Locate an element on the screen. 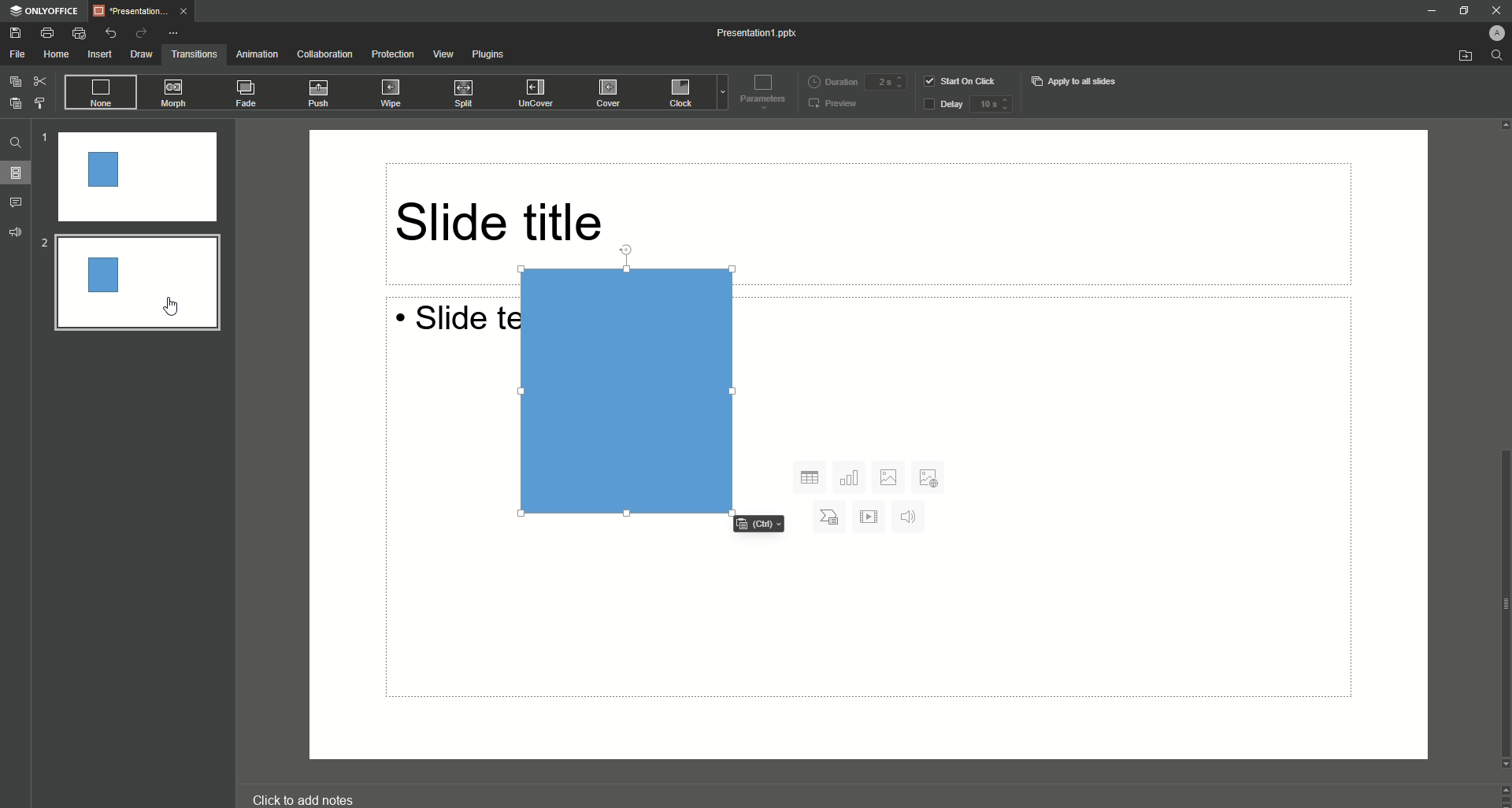 This screenshot has width=1512, height=808. Quick Print is located at coordinates (81, 33).